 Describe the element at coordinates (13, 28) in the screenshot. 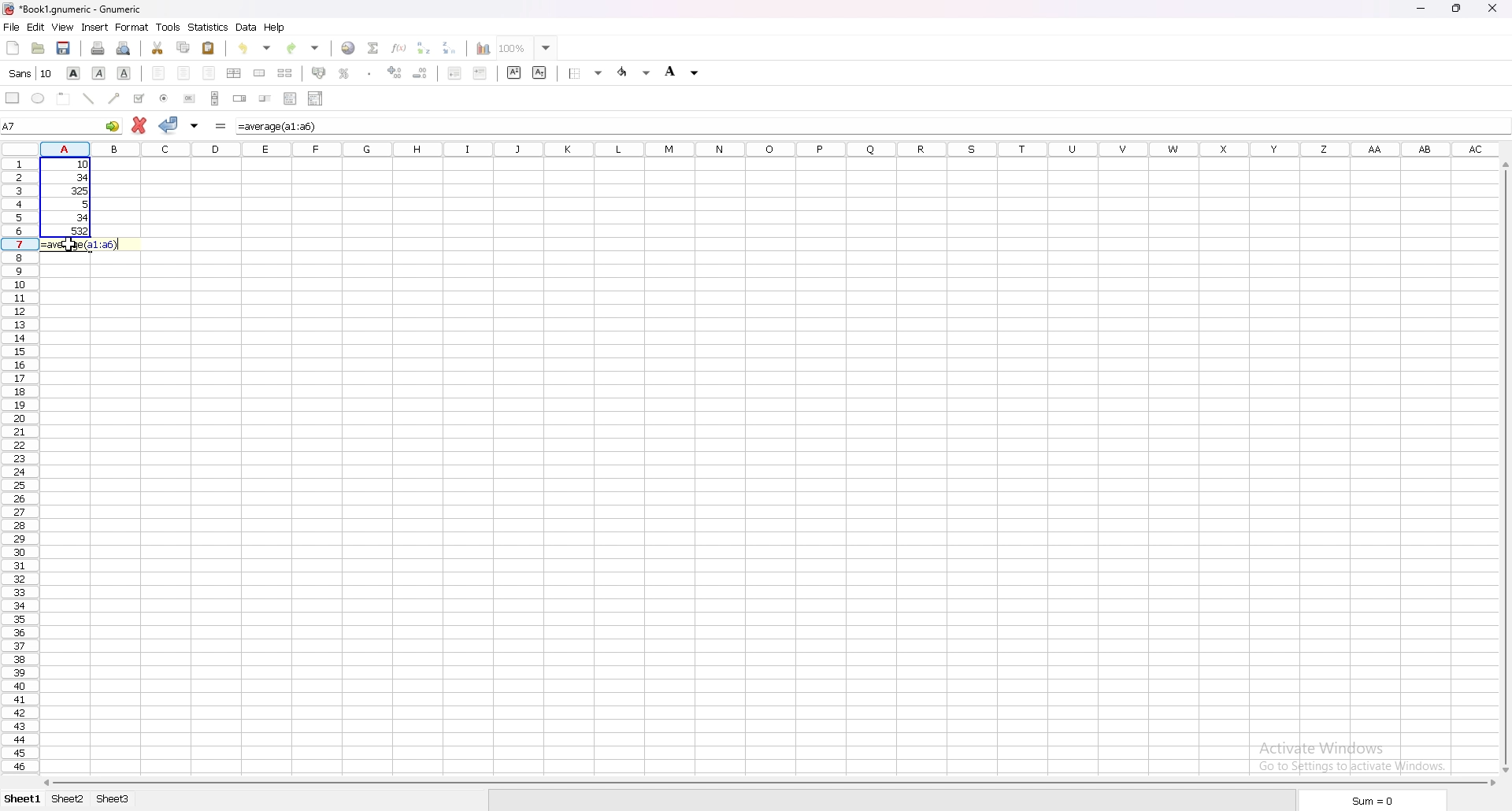

I see `file` at that location.